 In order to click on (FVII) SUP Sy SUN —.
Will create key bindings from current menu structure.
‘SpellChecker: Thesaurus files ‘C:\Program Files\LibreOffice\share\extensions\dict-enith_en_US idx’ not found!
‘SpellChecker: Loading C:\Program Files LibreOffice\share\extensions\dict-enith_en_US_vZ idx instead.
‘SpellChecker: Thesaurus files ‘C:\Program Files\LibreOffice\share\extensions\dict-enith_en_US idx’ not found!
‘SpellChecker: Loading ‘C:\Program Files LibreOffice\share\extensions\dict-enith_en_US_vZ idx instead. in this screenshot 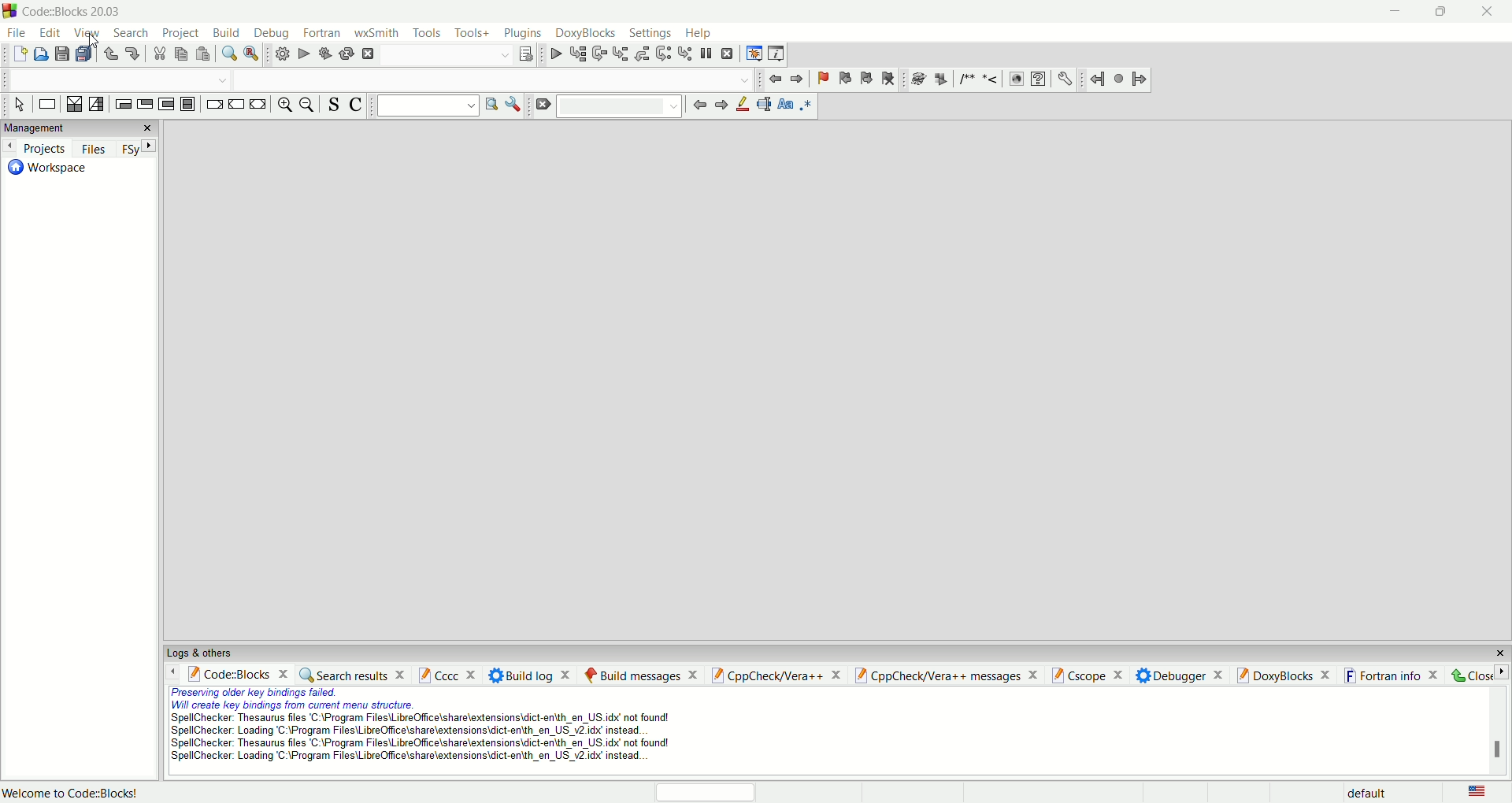, I will do `click(397, 729)`.